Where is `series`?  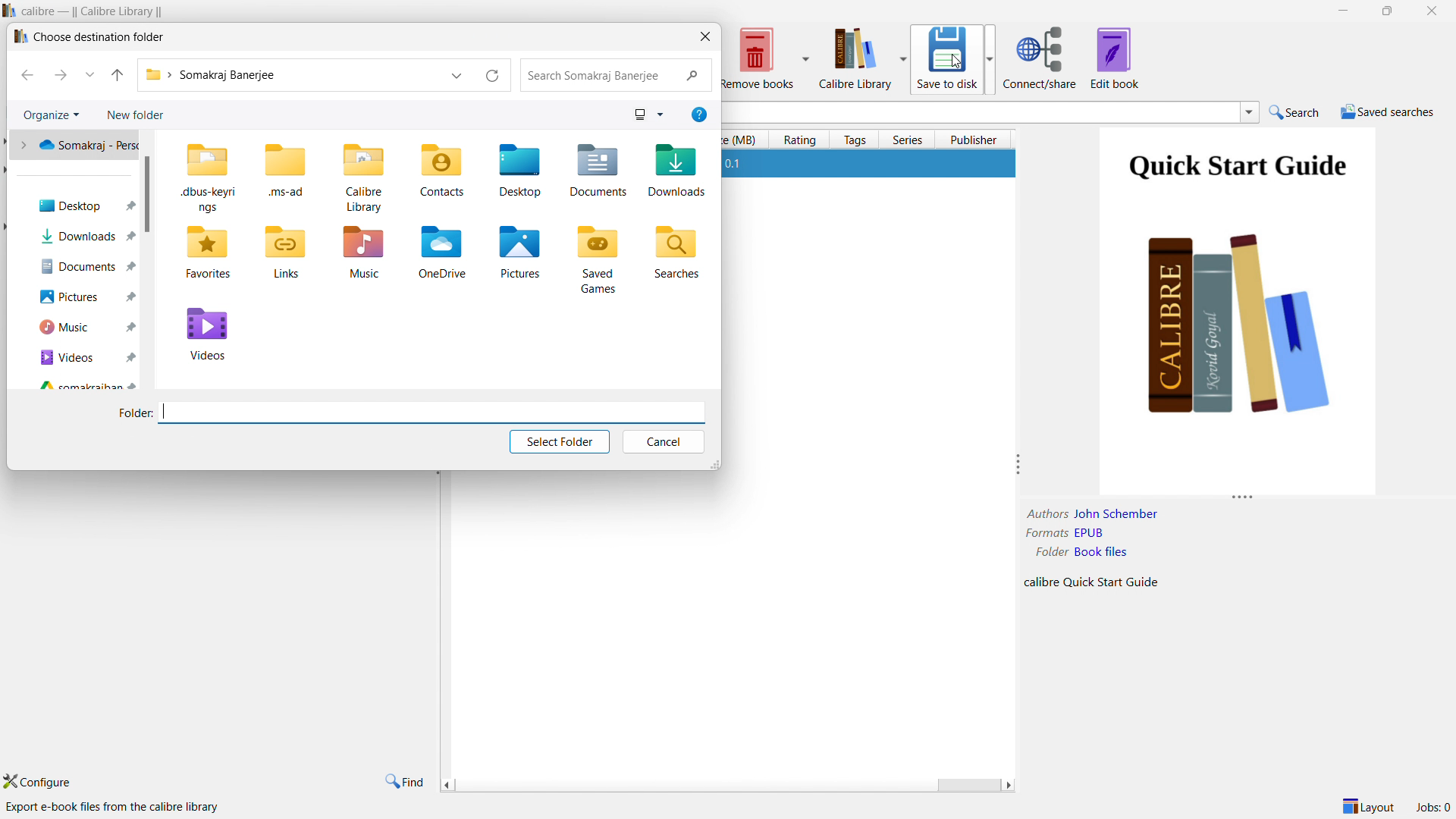
series is located at coordinates (907, 139).